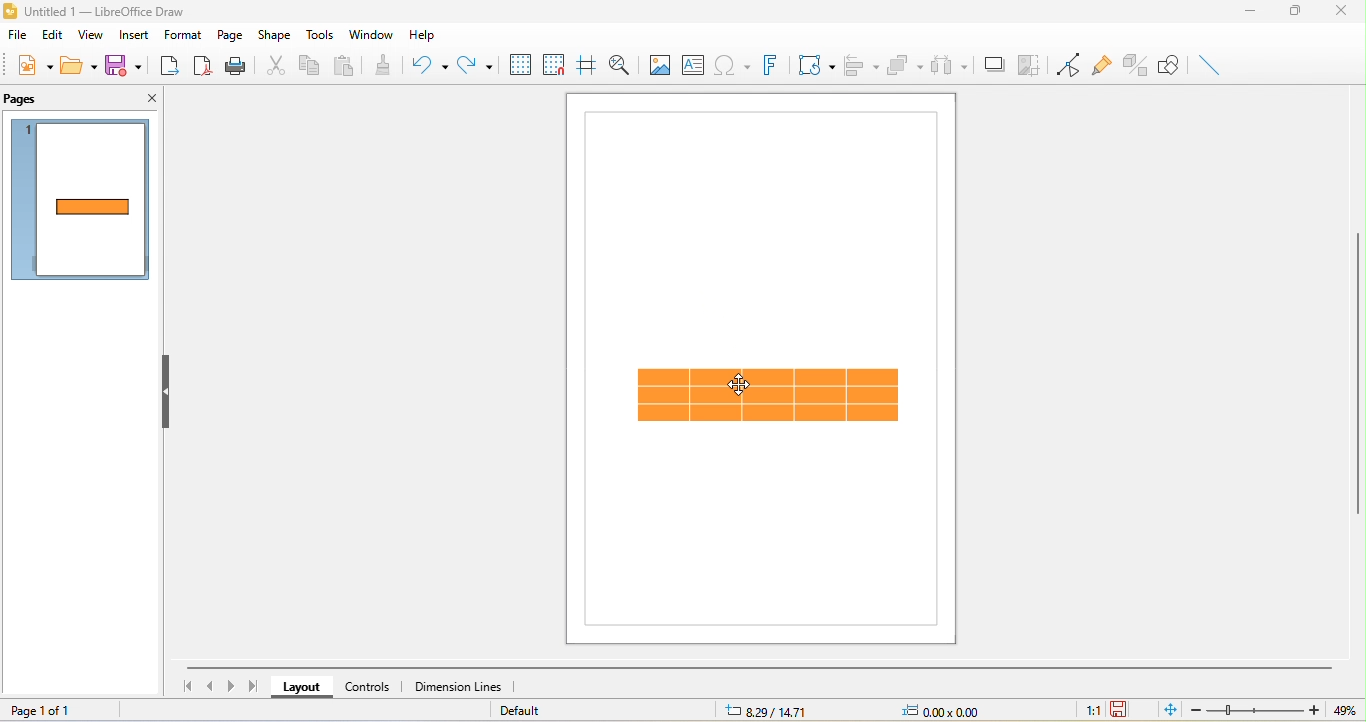 The height and width of the screenshot is (722, 1366). What do you see at coordinates (273, 64) in the screenshot?
I see `cut` at bounding box center [273, 64].